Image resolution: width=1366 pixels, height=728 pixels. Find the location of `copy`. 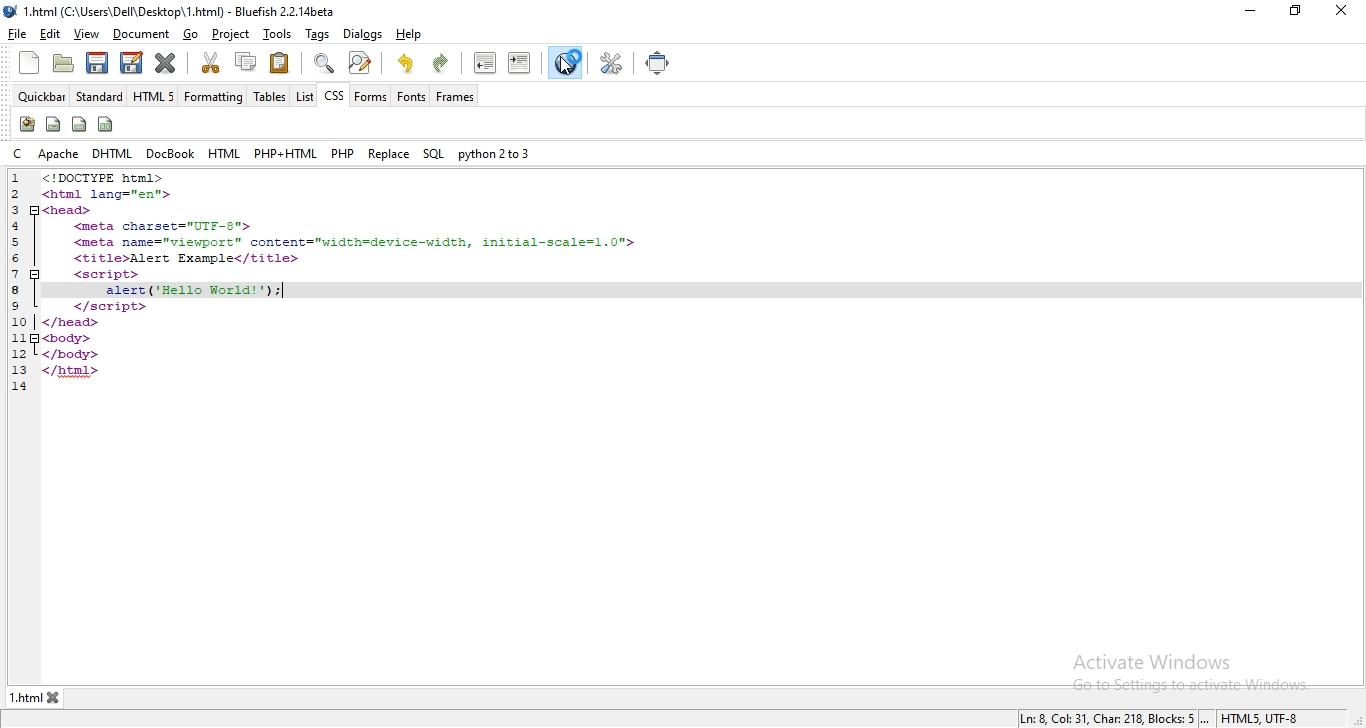

copy is located at coordinates (244, 64).